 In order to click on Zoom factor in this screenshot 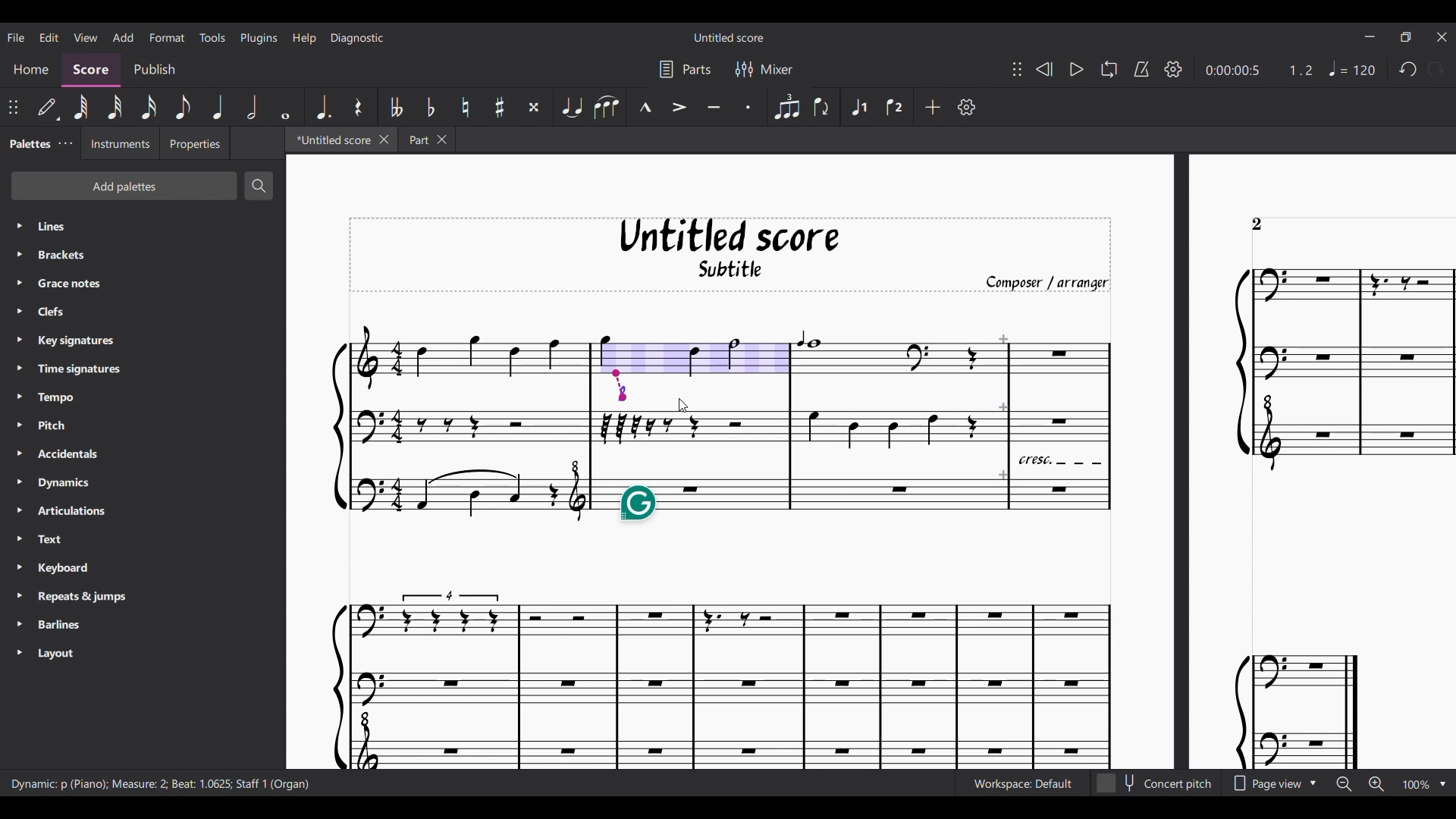, I will do `click(1417, 784)`.